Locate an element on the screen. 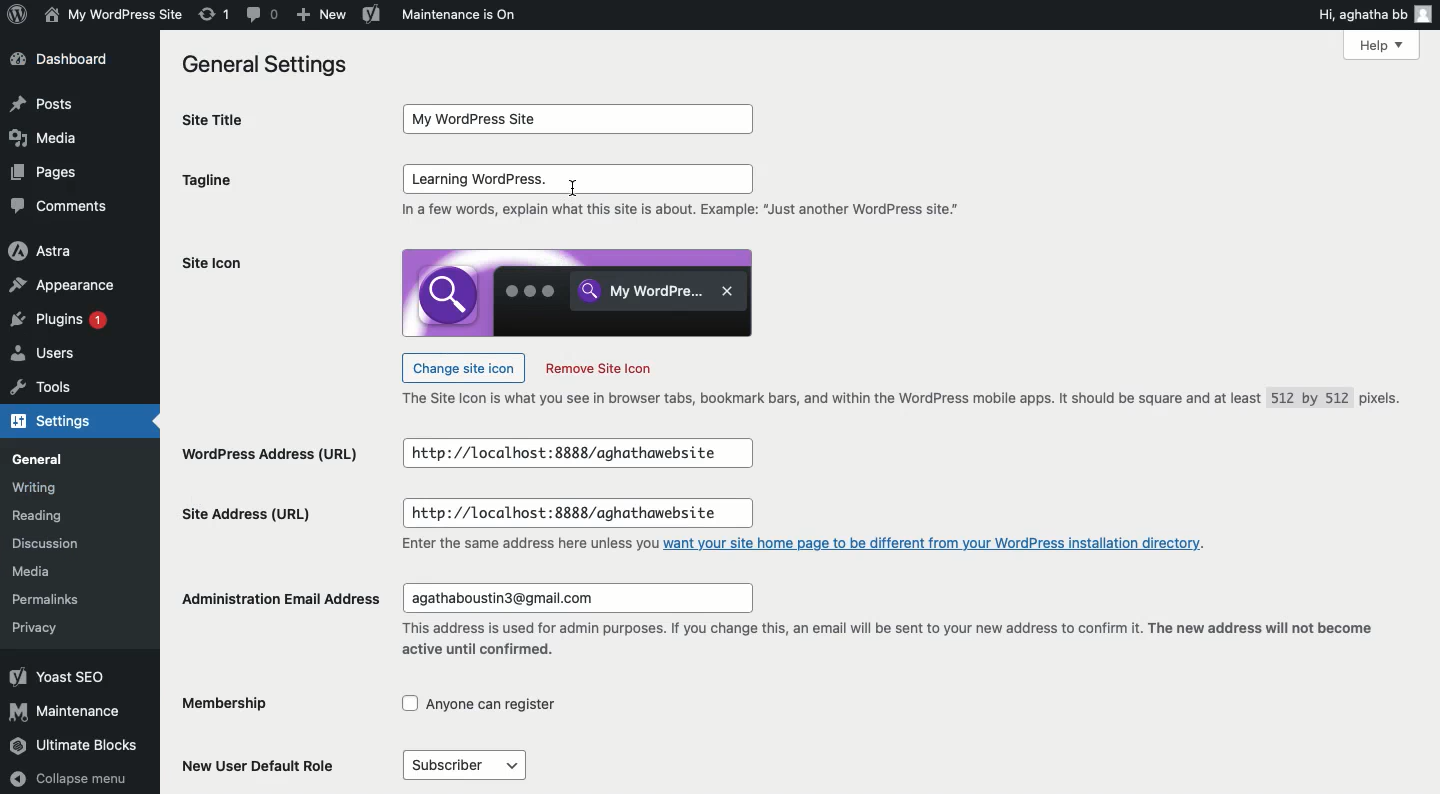 The image size is (1440, 794). Media is located at coordinates (43, 137).